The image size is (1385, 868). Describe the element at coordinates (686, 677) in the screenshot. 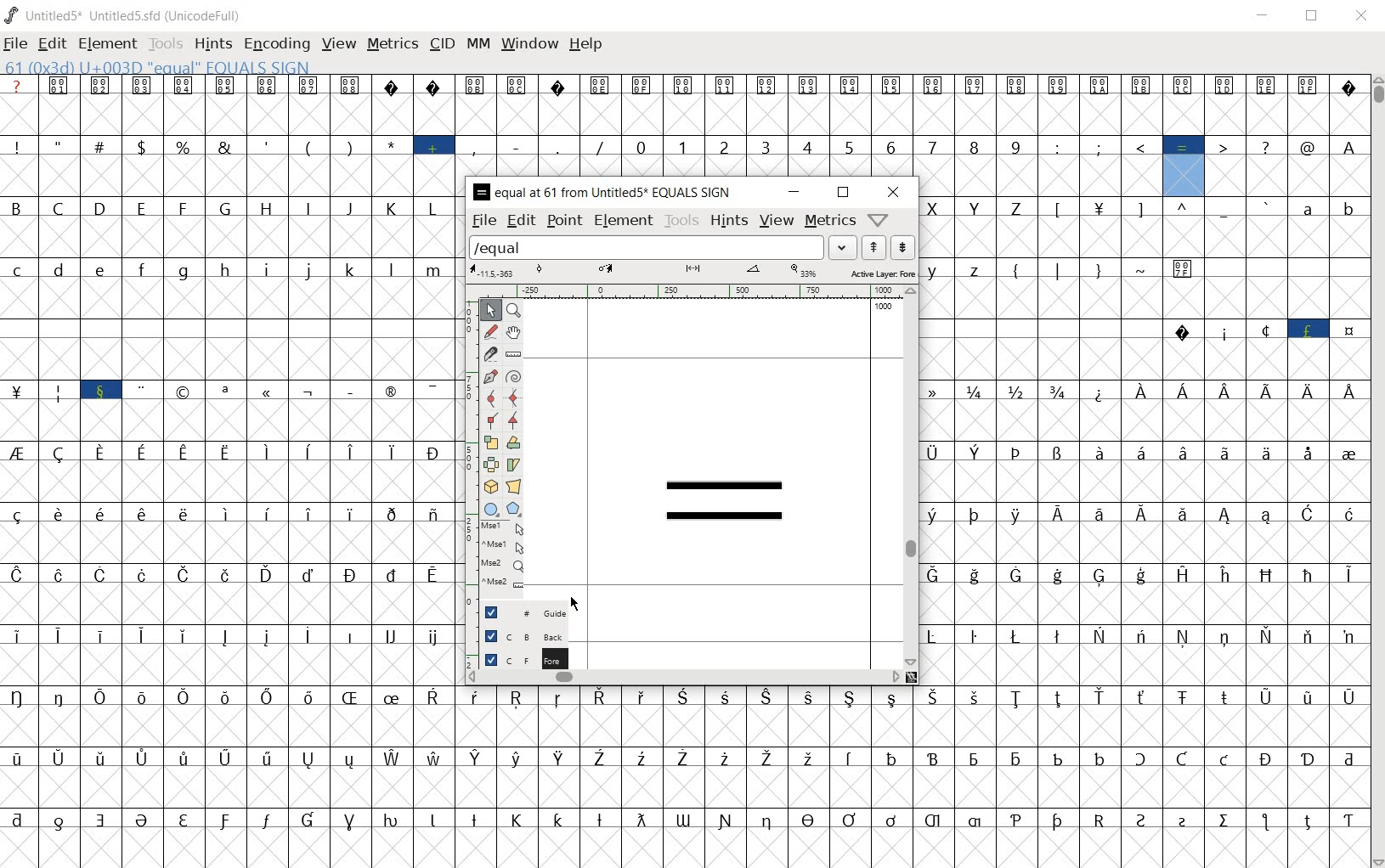

I see `scrollbar` at that location.